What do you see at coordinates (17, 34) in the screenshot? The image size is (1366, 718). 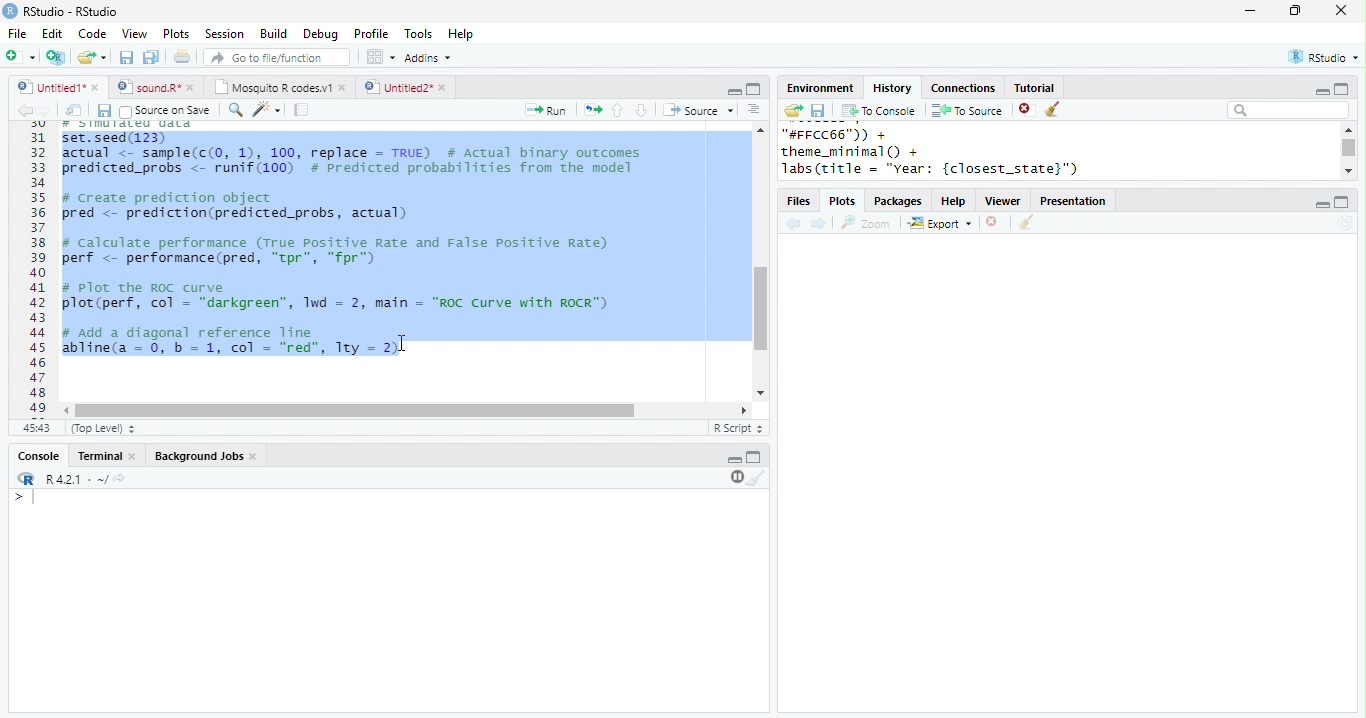 I see `File` at bounding box center [17, 34].